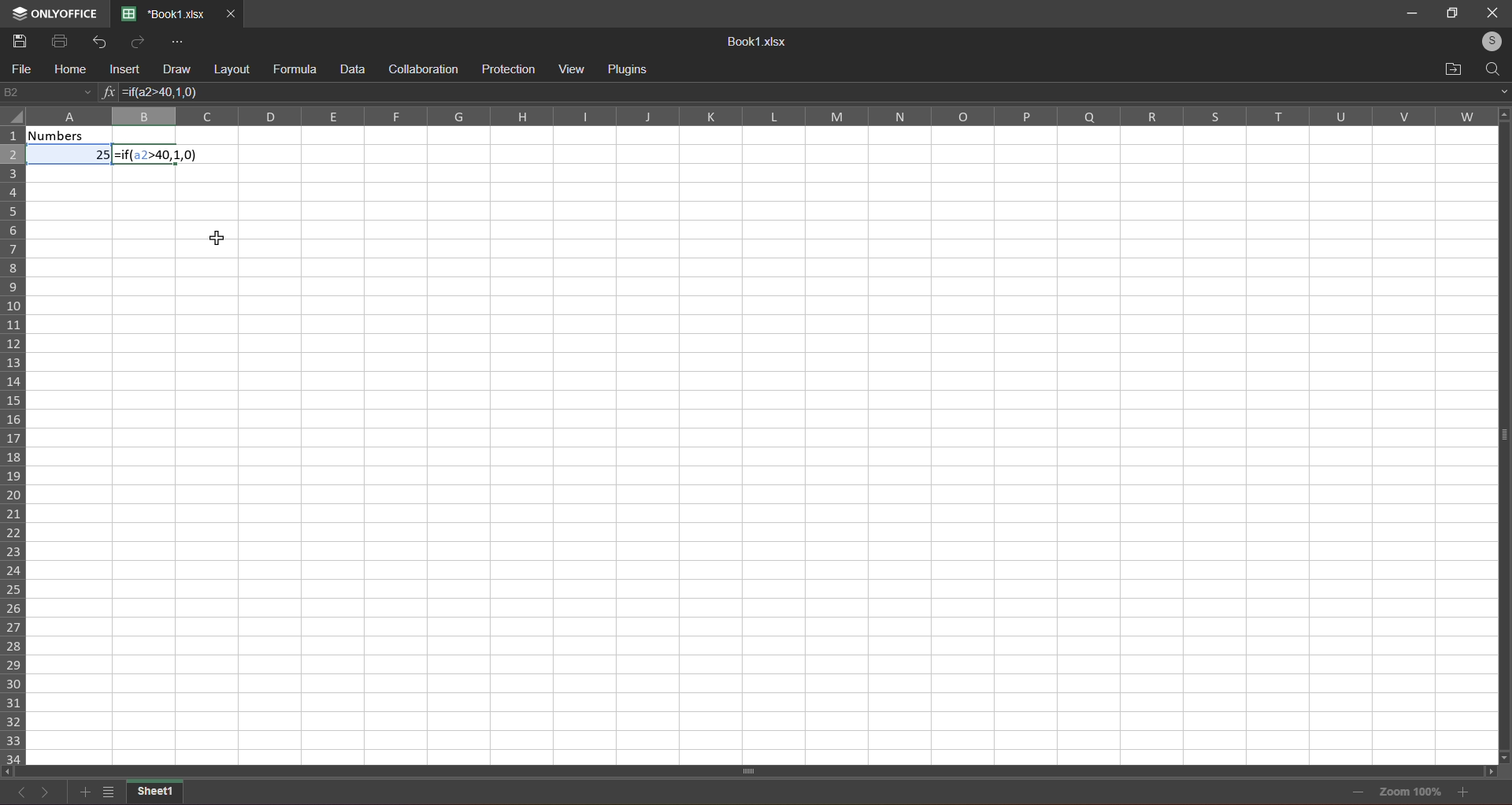  What do you see at coordinates (1487, 772) in the screenshot?
I see `scroll right` at bounding box center [1487, 772].